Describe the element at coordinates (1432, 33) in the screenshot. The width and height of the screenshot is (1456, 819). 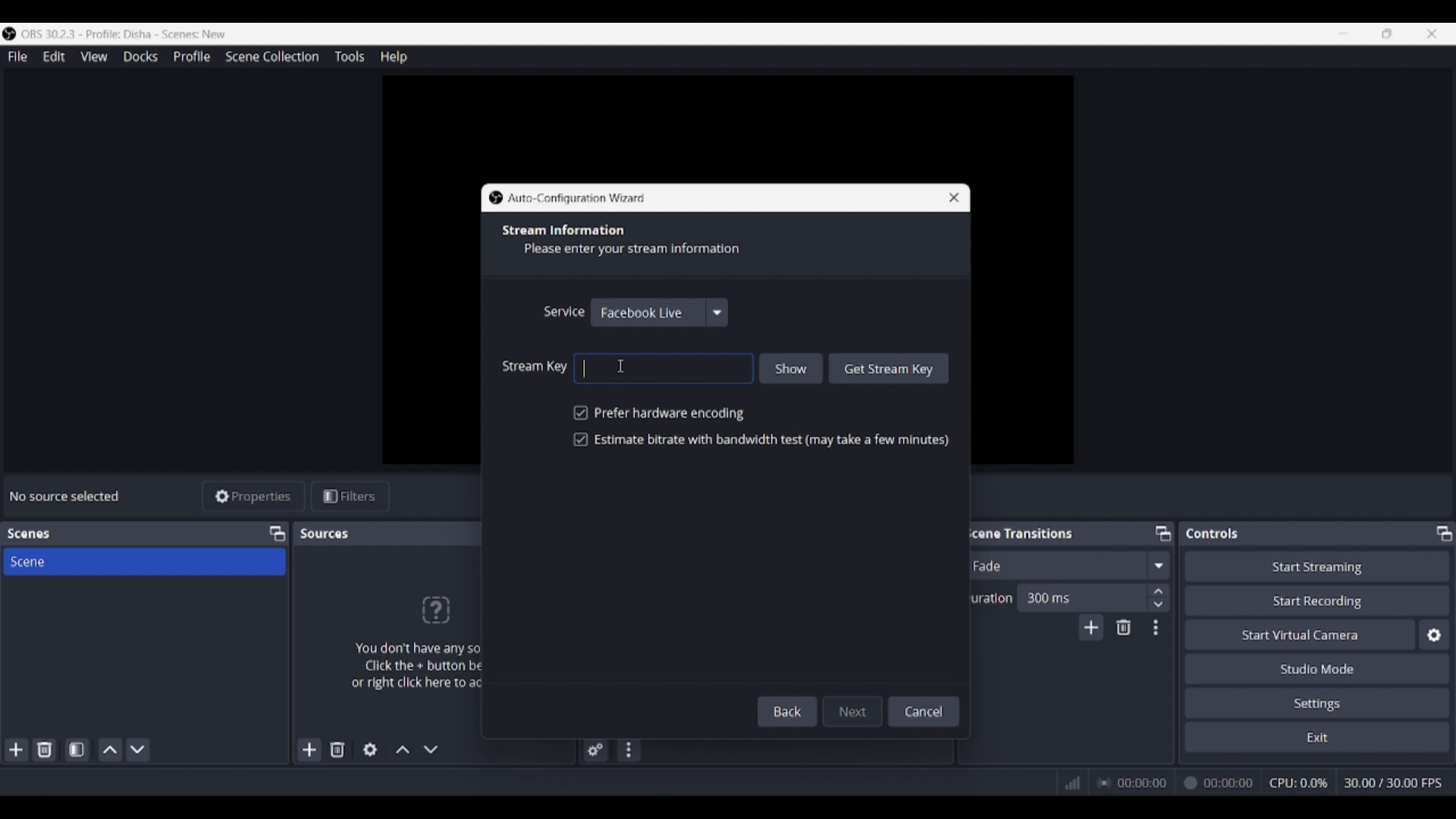
I see `Close interface` at that location.